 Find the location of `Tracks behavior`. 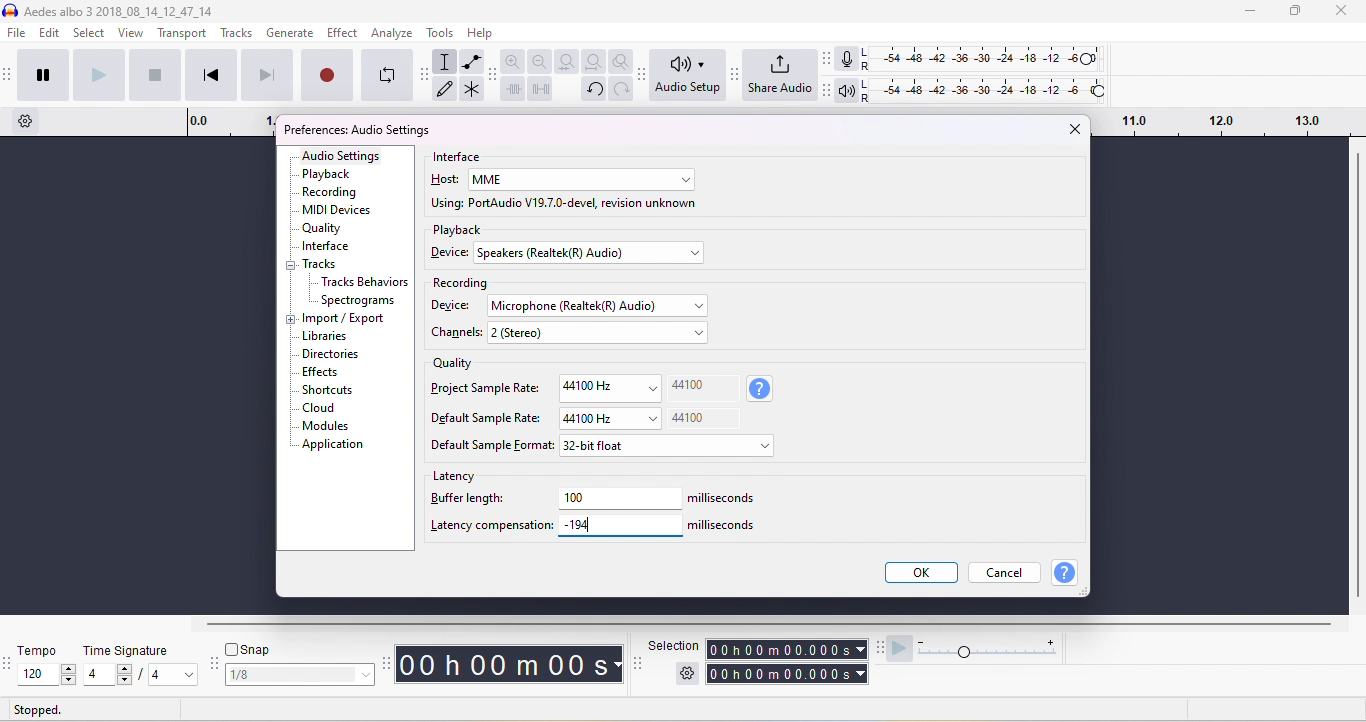

Tracks behavior is located at coordinates (365, 283).